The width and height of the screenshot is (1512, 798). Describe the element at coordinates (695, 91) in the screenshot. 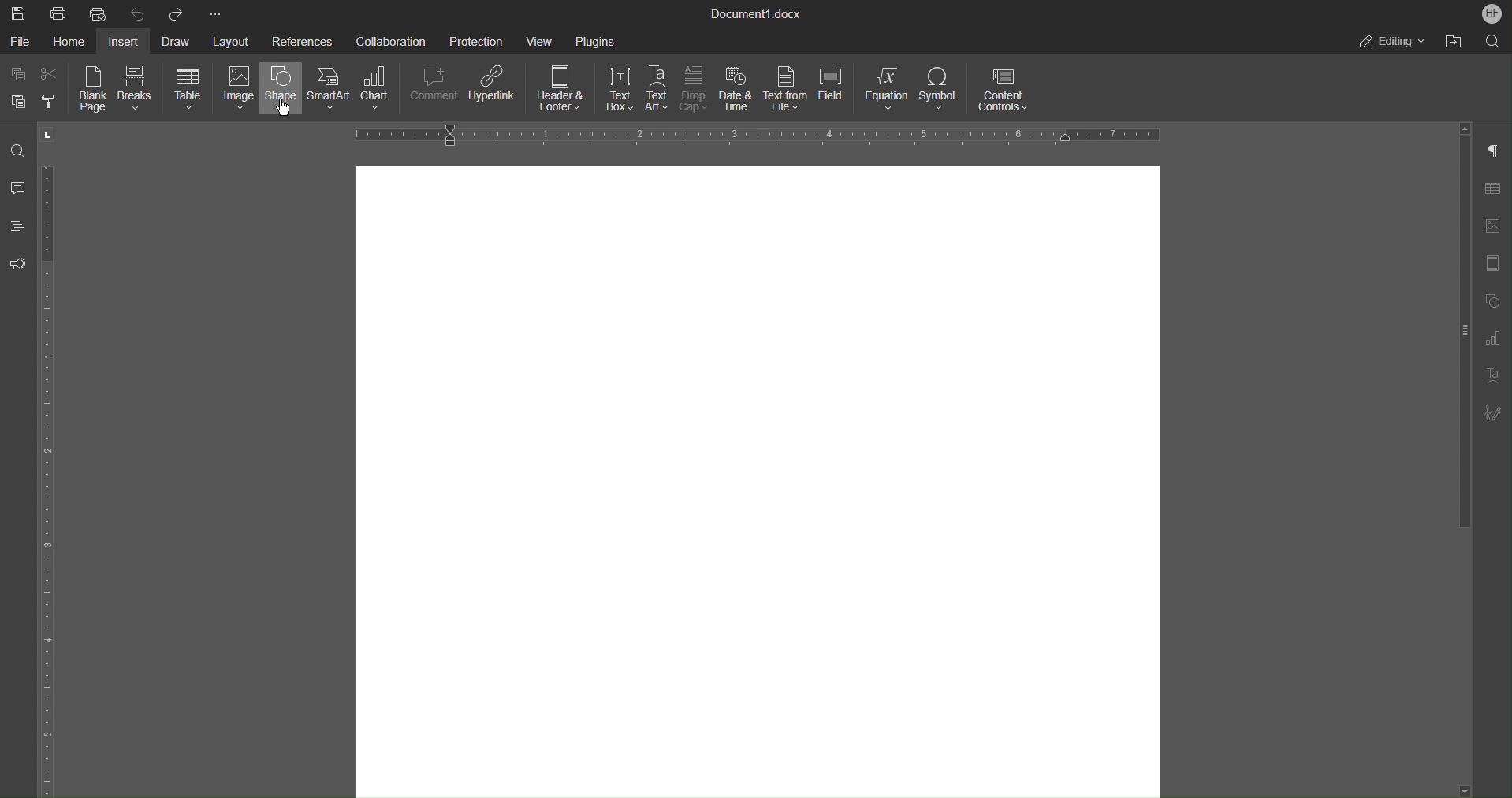

I see `Drop Cap` at that location.